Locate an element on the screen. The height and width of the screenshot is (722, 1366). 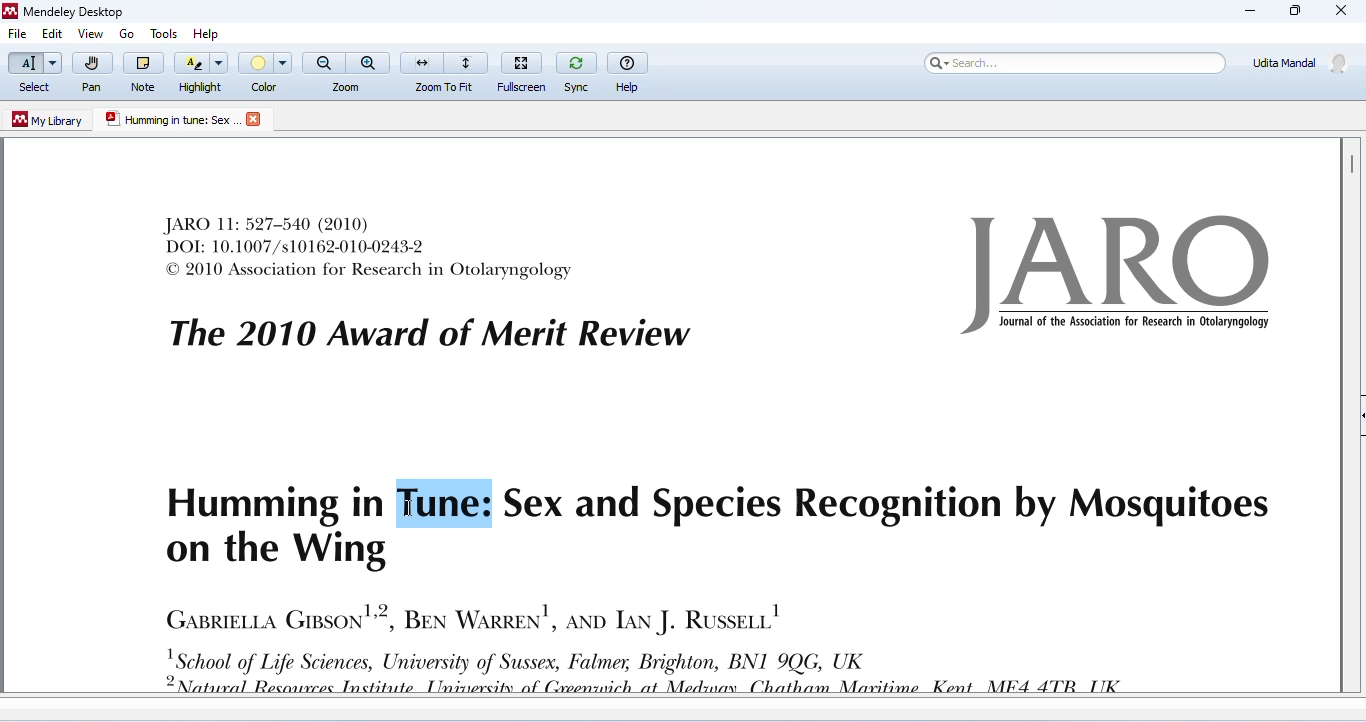
tools is located at coordinates (161, 30).